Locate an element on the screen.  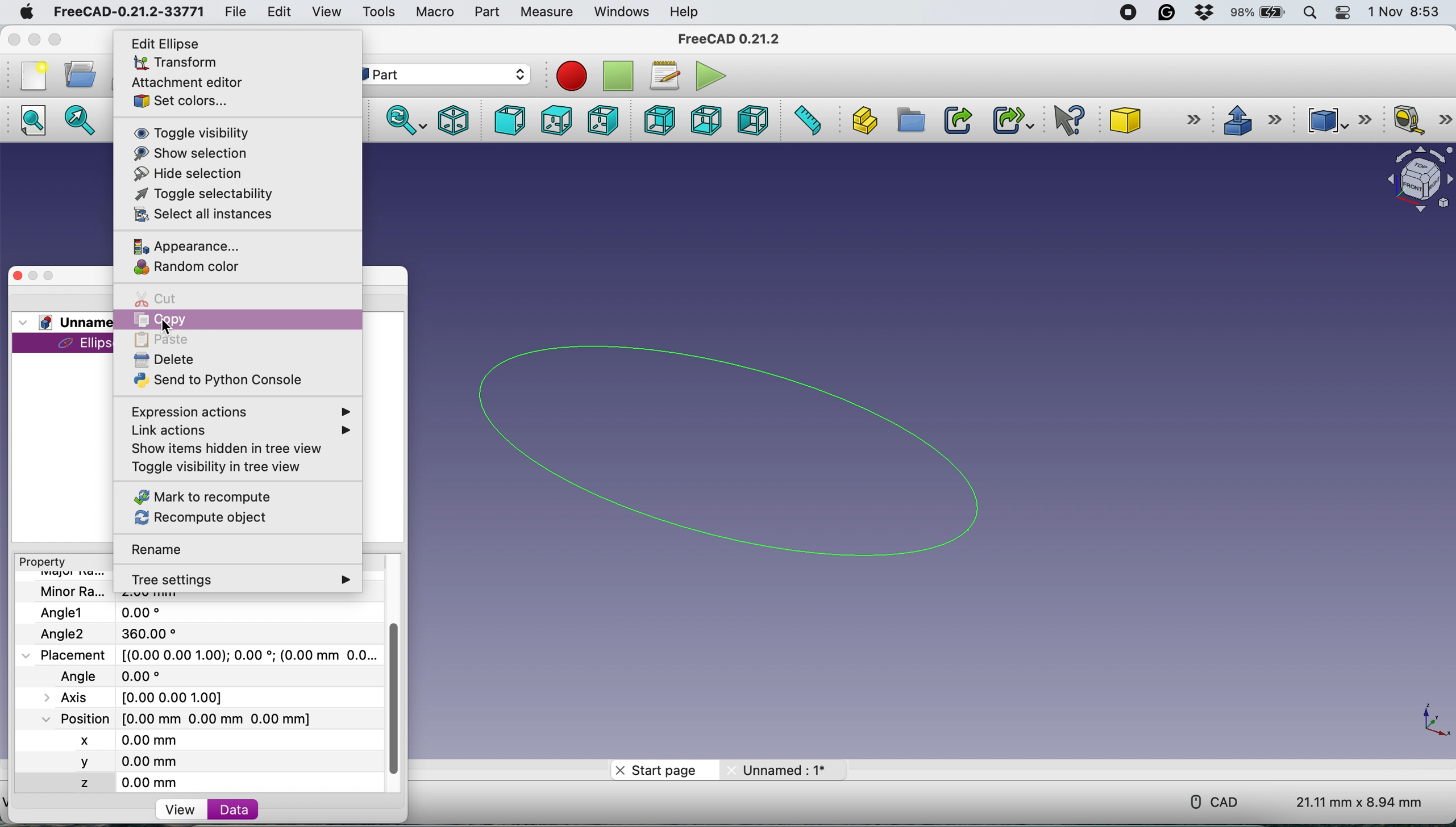
maximise is located at coordinates (53, 40).